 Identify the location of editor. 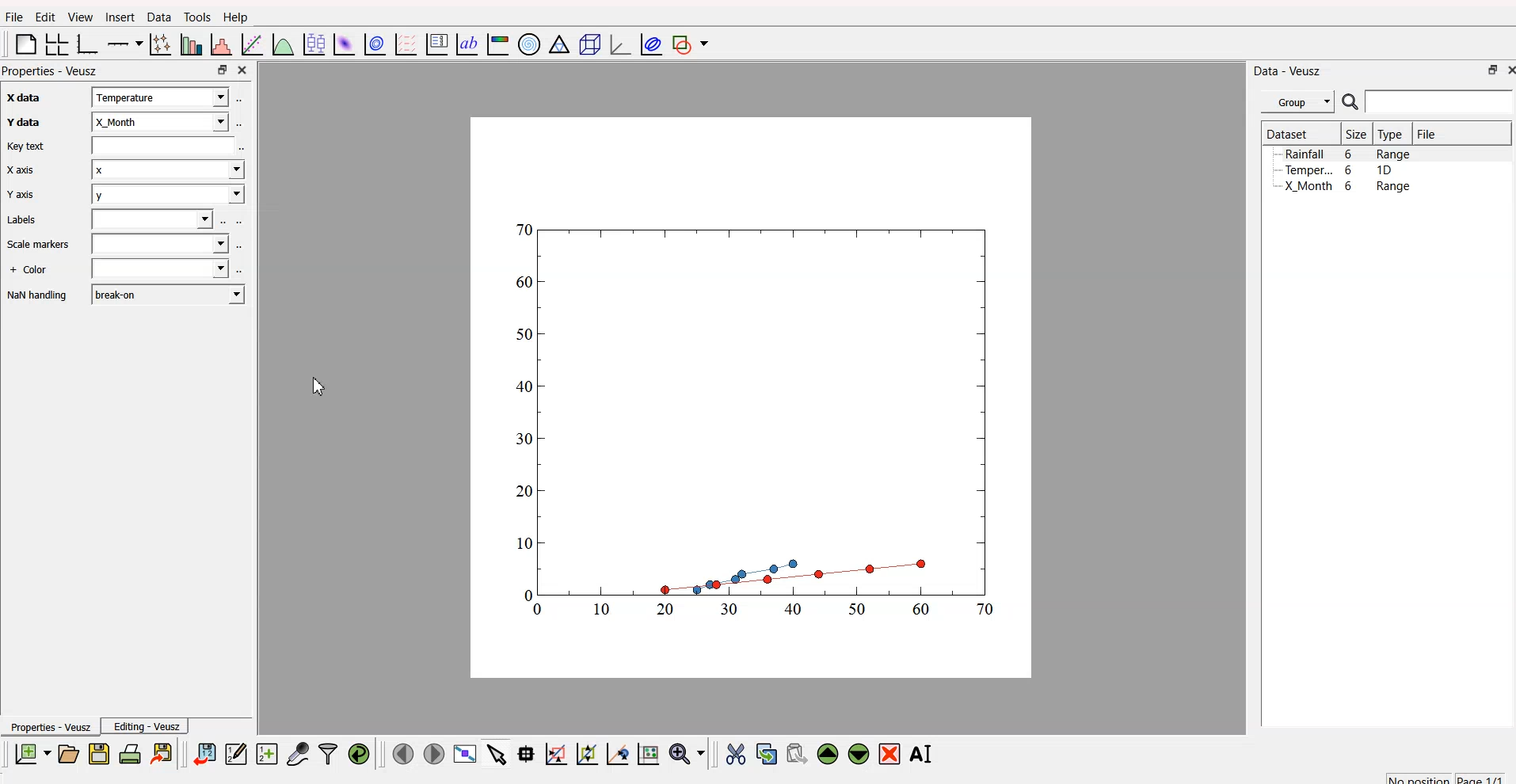
(236, 752).